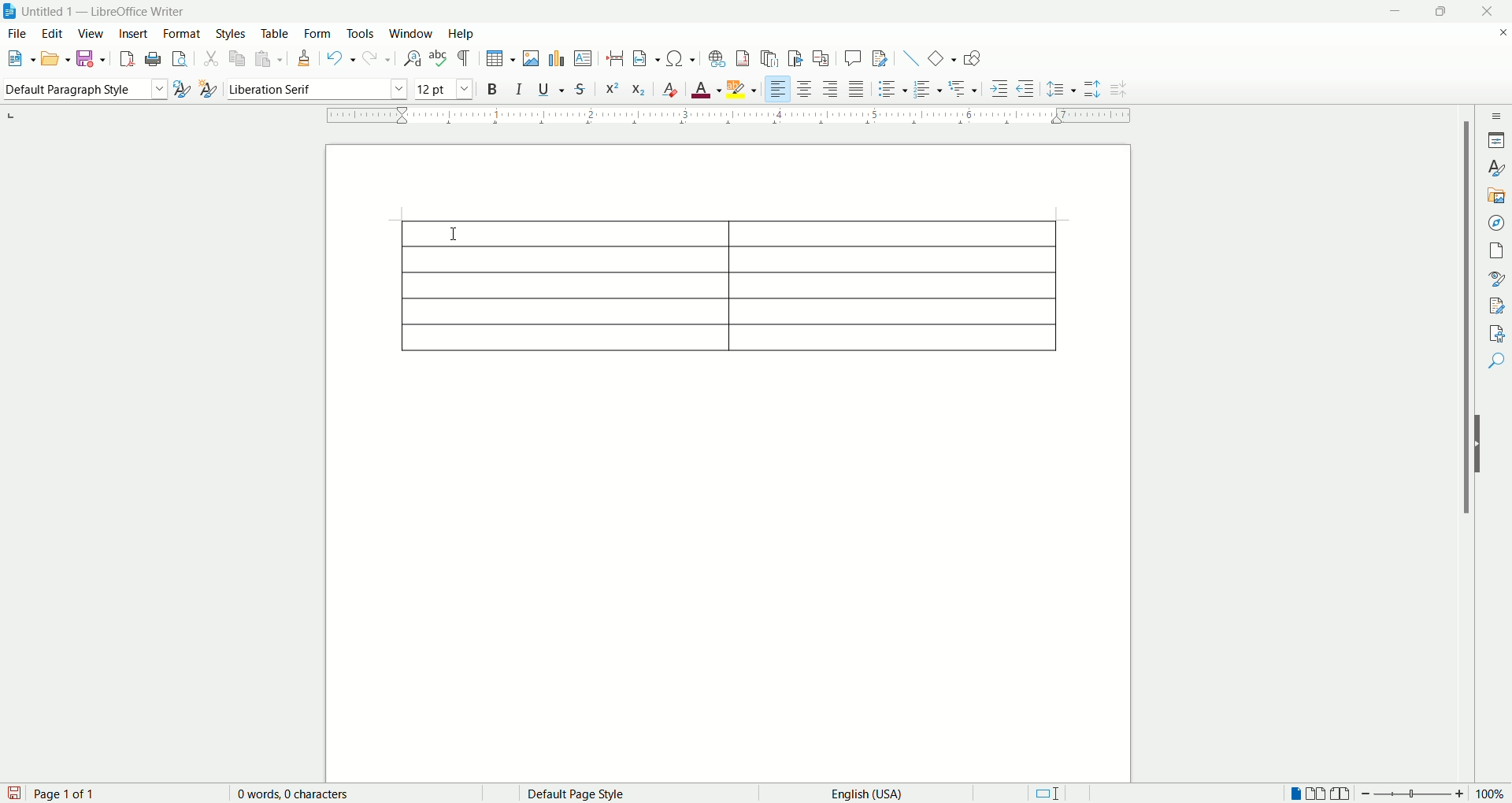 The width and height of the screenshot is (1512, 803). Describe the element at coordinates (532, 58) in the screenshot. I see `insert image` at that location.